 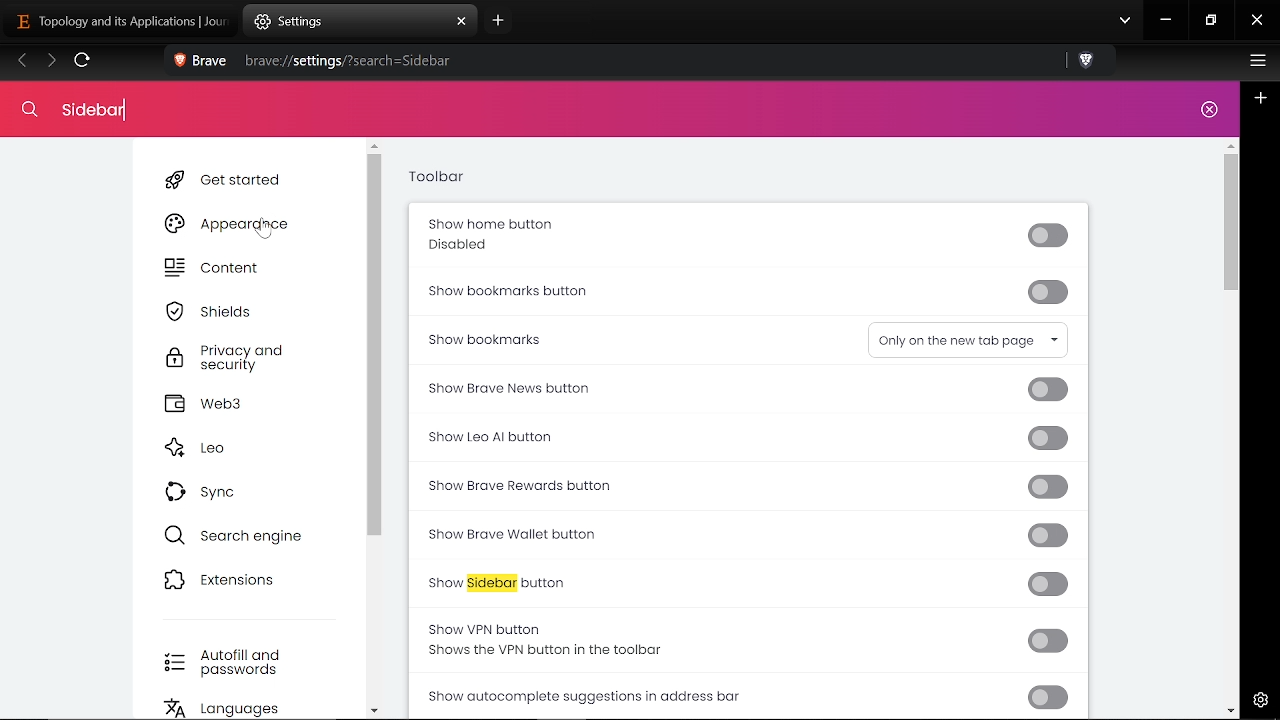 What do you see at coordinates (1088, 62) in the screenshot?
I see `Brave shield` at bounding box center [1088, 62].